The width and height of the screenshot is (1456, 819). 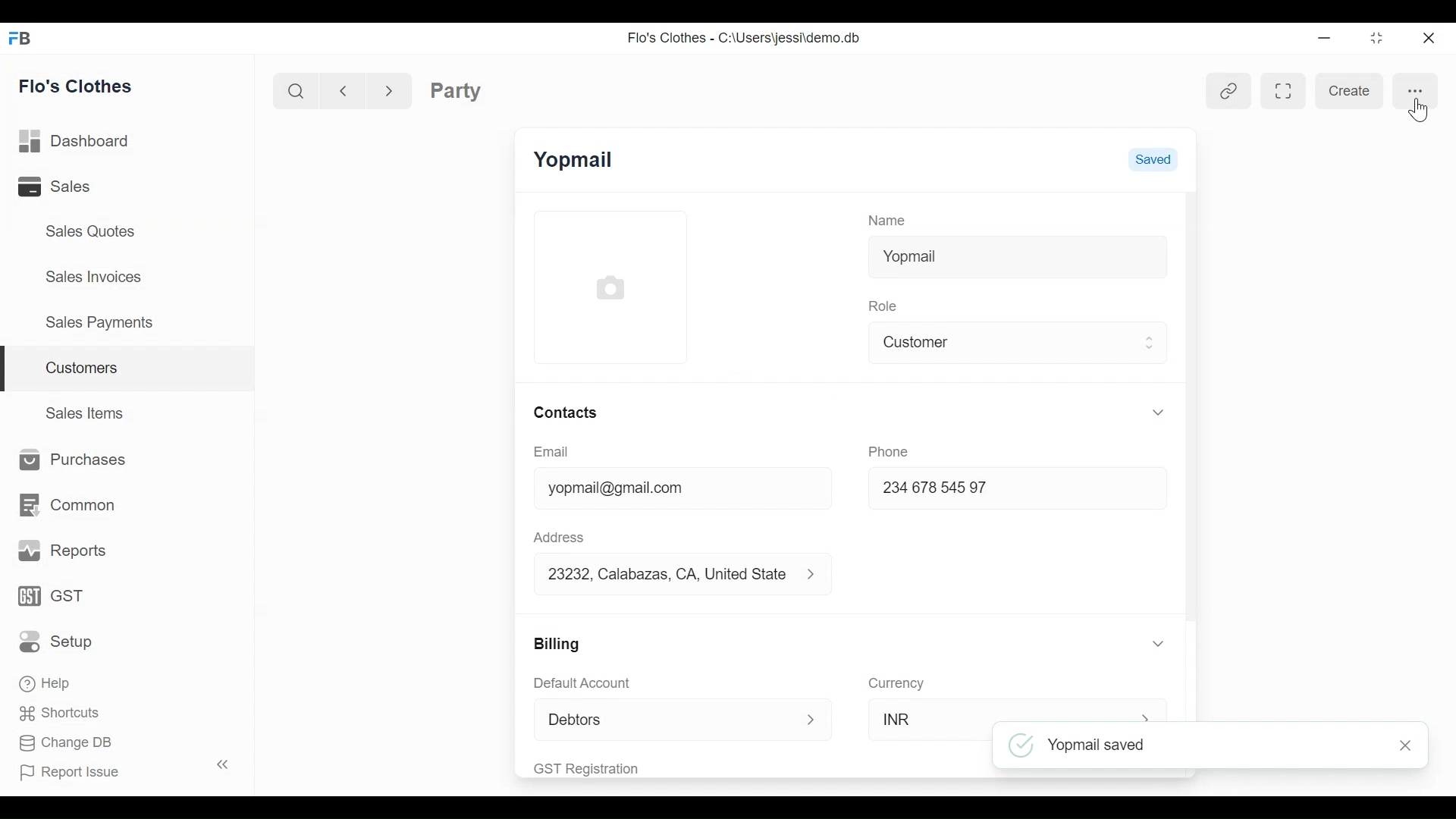 What do you see at coordinates (571, 413) in the screenshot?
I see `Contacts` at bounding box center [571, 413].